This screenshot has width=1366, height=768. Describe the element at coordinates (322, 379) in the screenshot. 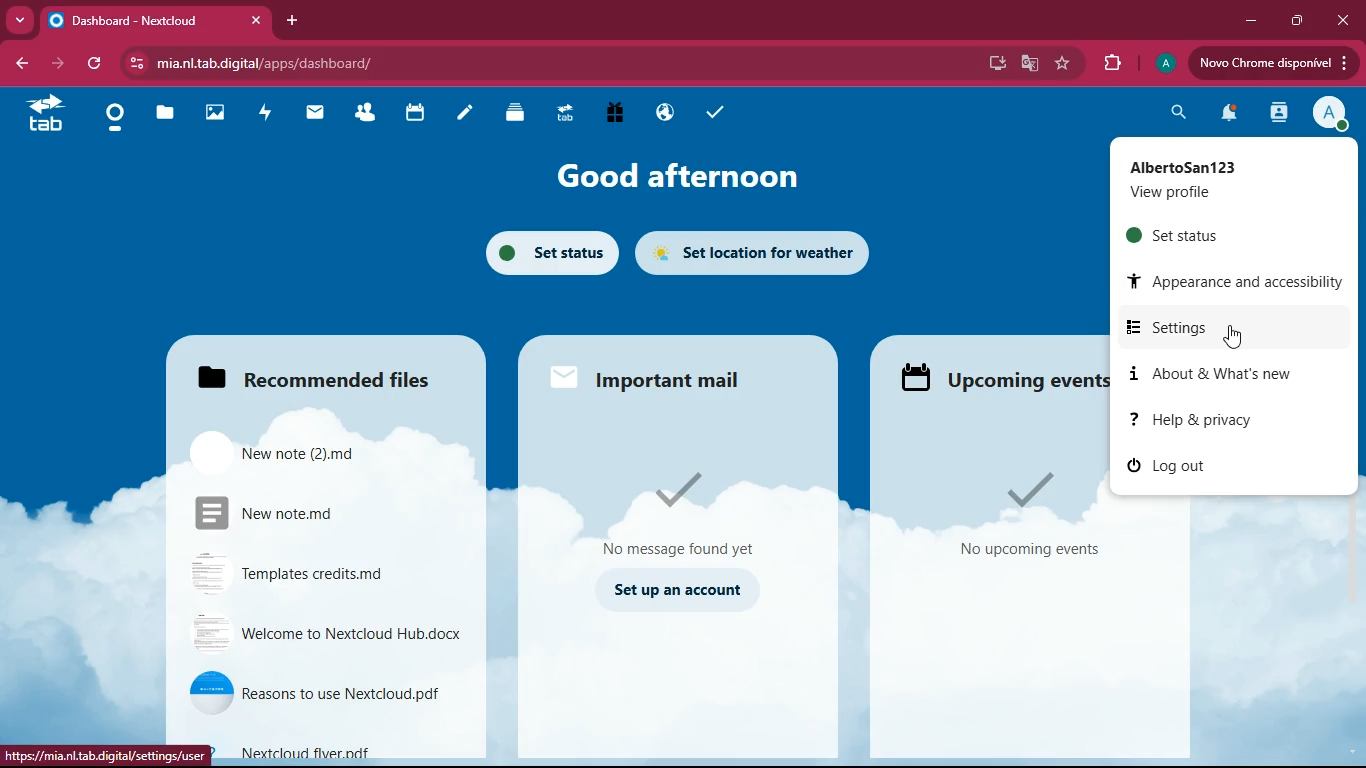

I see `files` at that location.